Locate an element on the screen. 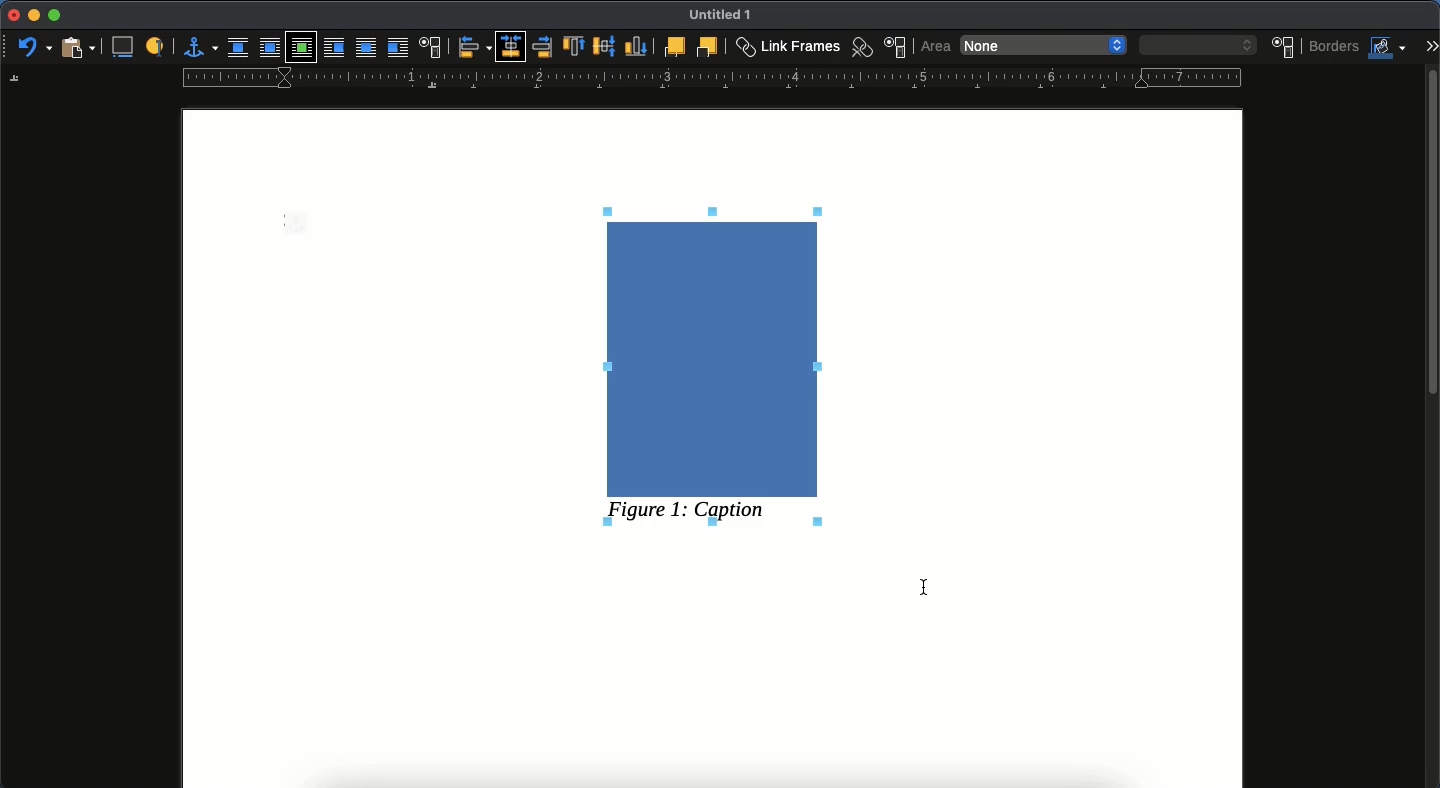 The width and height of the screenshot is (1440, 788). through is located at coordinates (368, 47).